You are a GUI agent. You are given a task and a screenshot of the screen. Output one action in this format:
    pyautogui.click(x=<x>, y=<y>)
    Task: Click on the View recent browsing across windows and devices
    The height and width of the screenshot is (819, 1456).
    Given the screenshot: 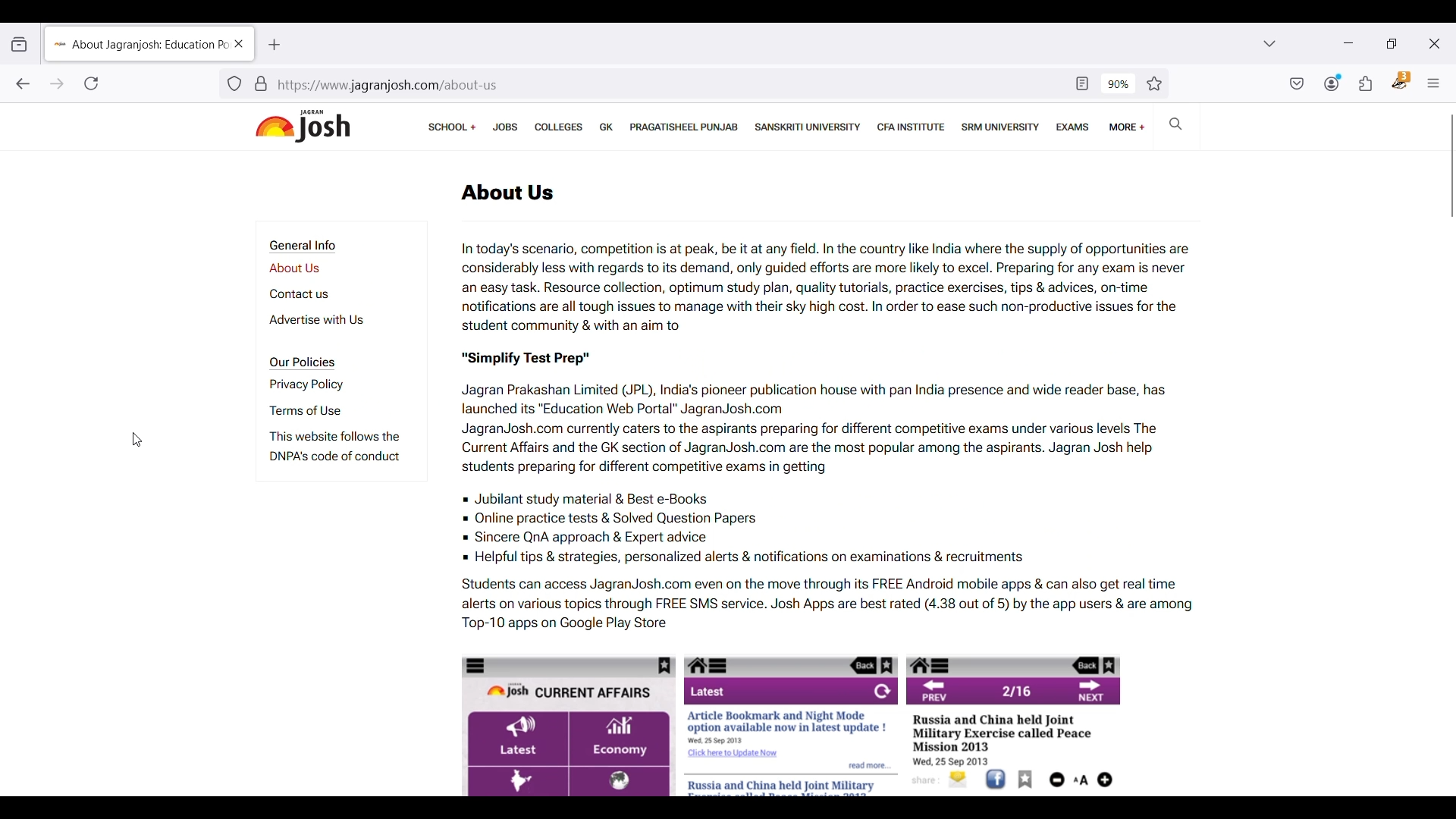 What is the action you would take?
    pyautogui.click(x=20, y=44)
    